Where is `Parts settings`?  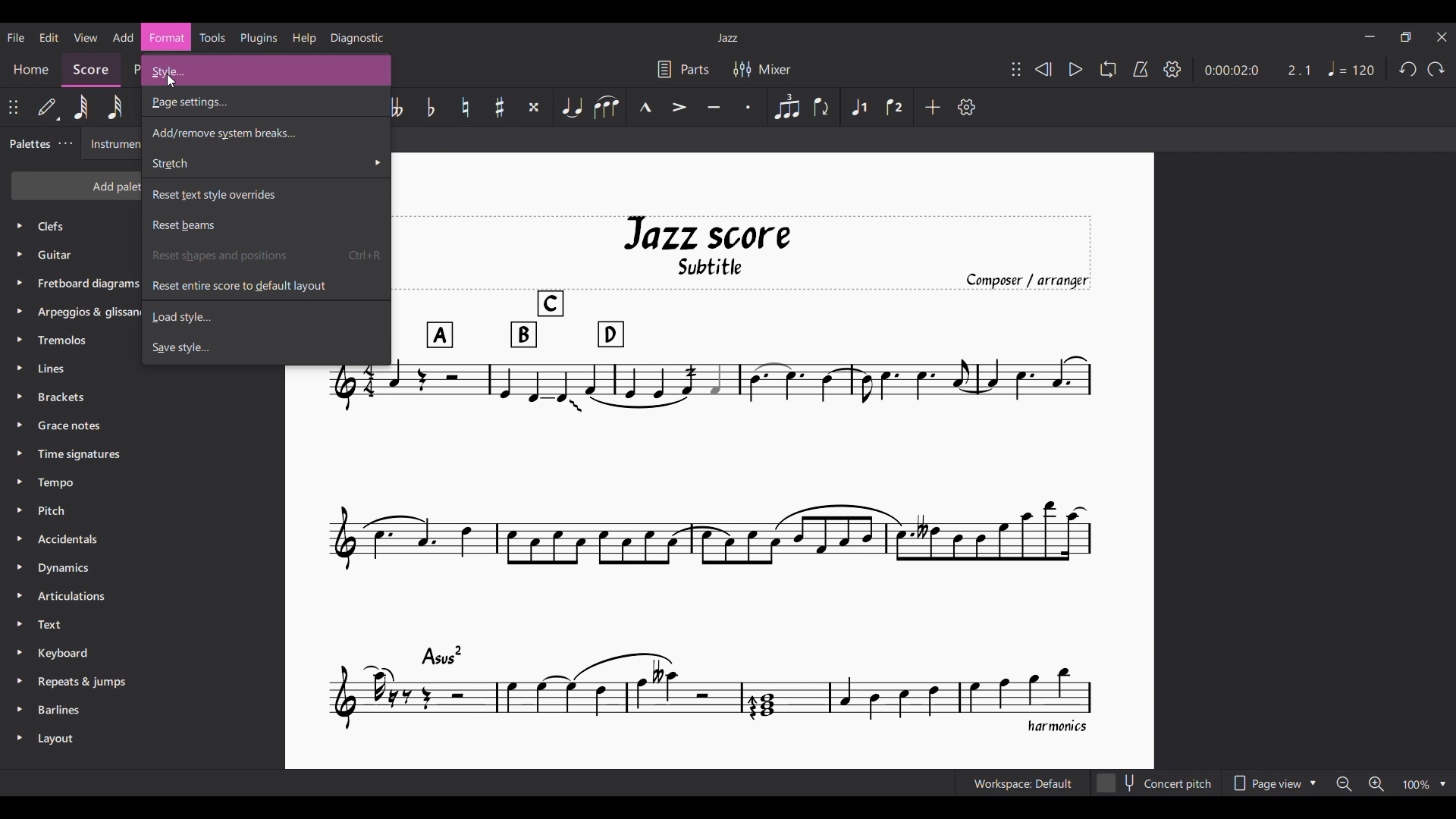 Parts settings is located at coordinates (683, 70).